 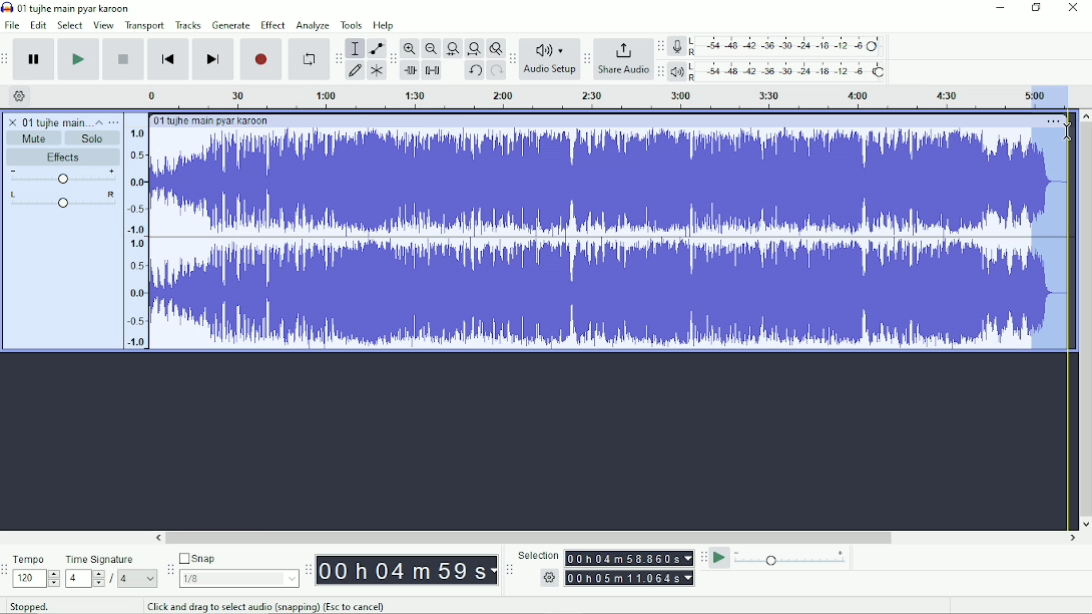 What do you see at coordinates (213, 60) in the screenshot?
I see `Skip to end` at bounding box center [213, 60].